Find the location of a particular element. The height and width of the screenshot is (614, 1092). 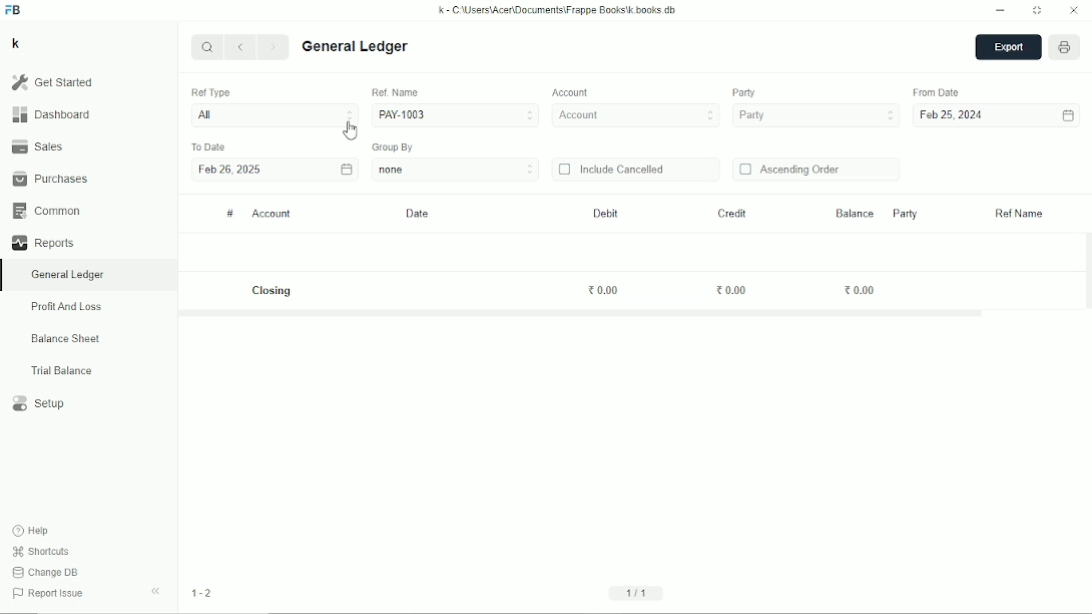

0.00 is located at coordinates (732, 291).